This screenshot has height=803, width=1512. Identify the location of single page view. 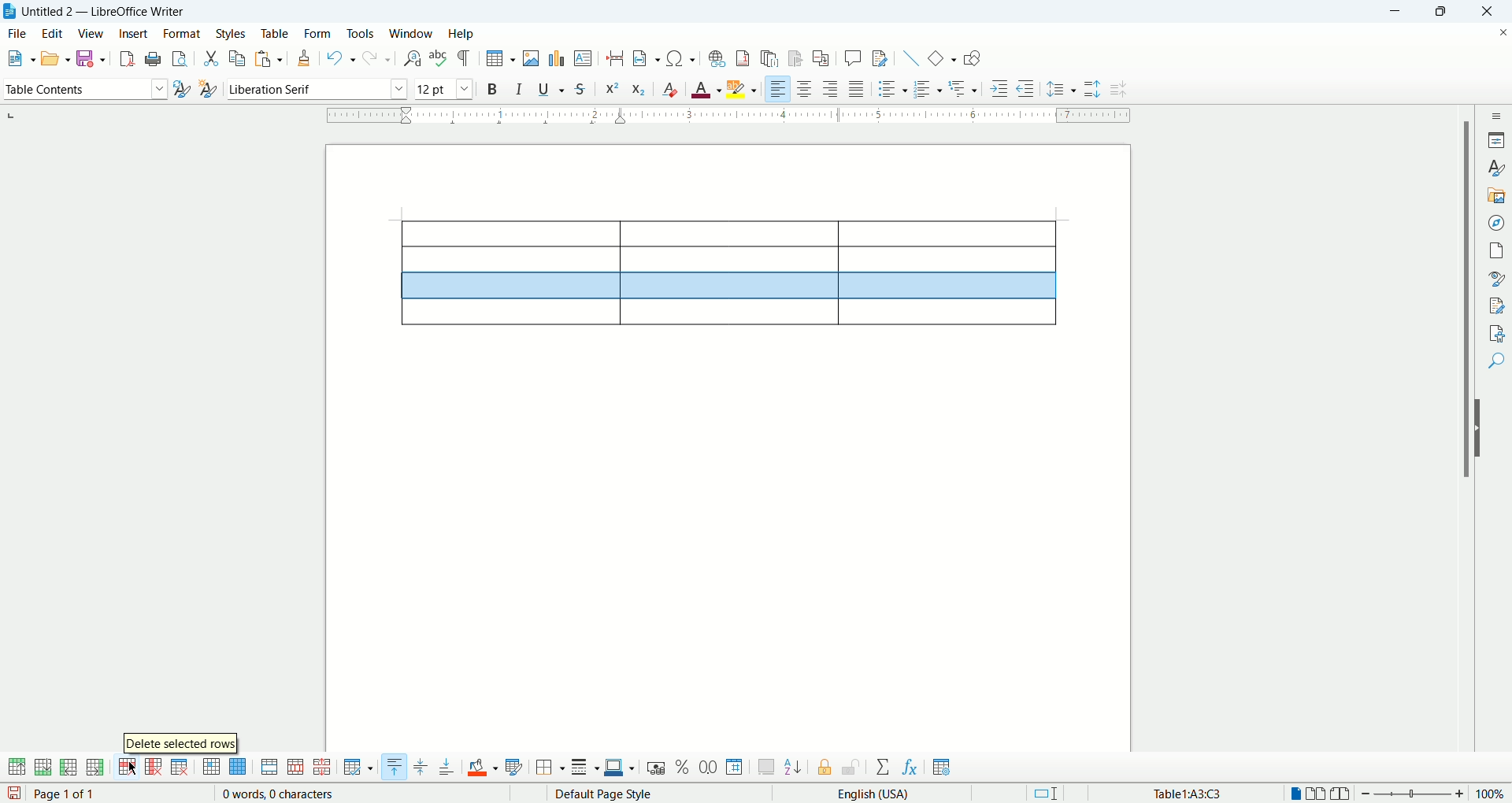
(1294, 791).